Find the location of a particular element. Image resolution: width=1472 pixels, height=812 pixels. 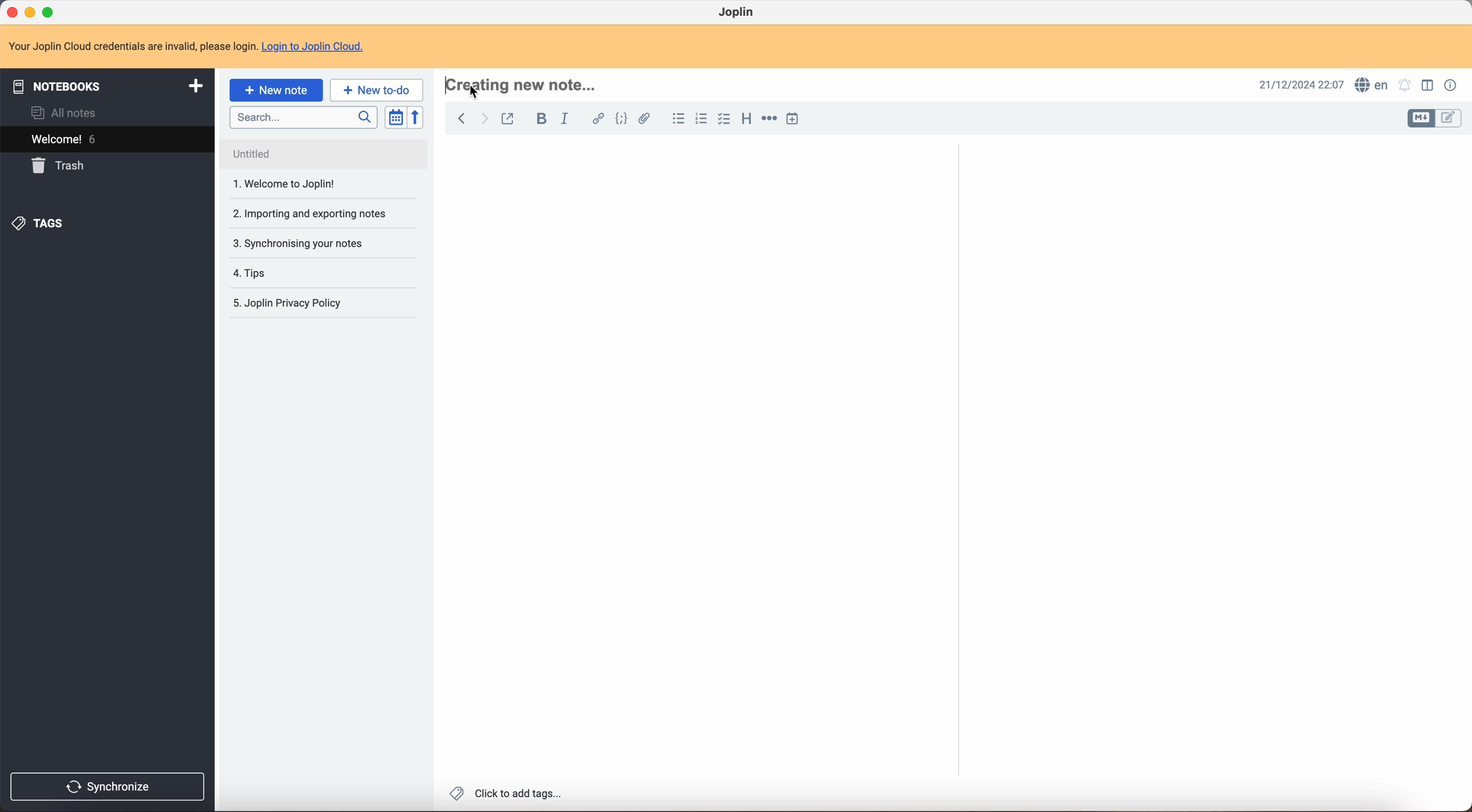

tips is located at coordinates (294, 245).